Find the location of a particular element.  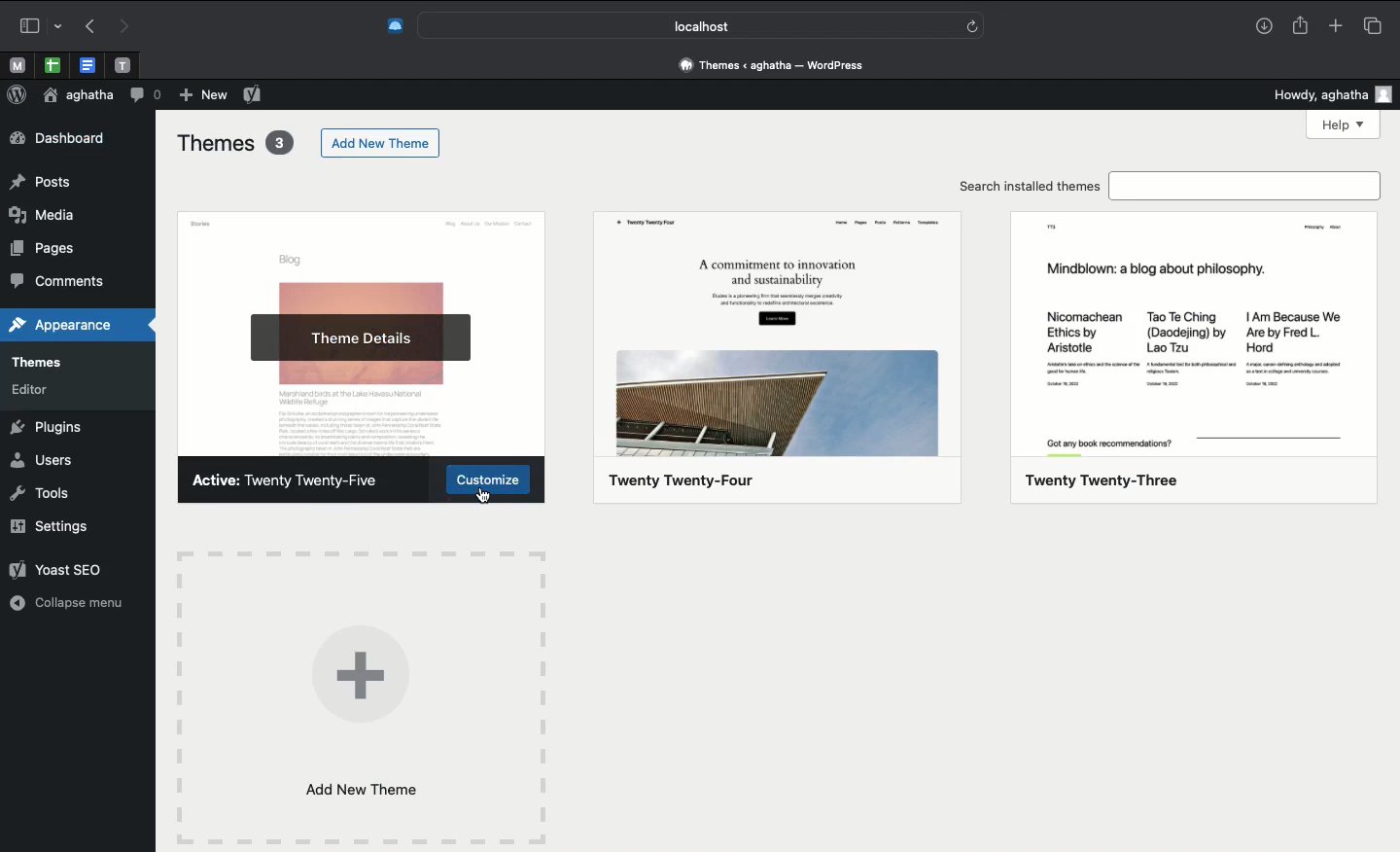

comments is located at coordinates (58, 282).